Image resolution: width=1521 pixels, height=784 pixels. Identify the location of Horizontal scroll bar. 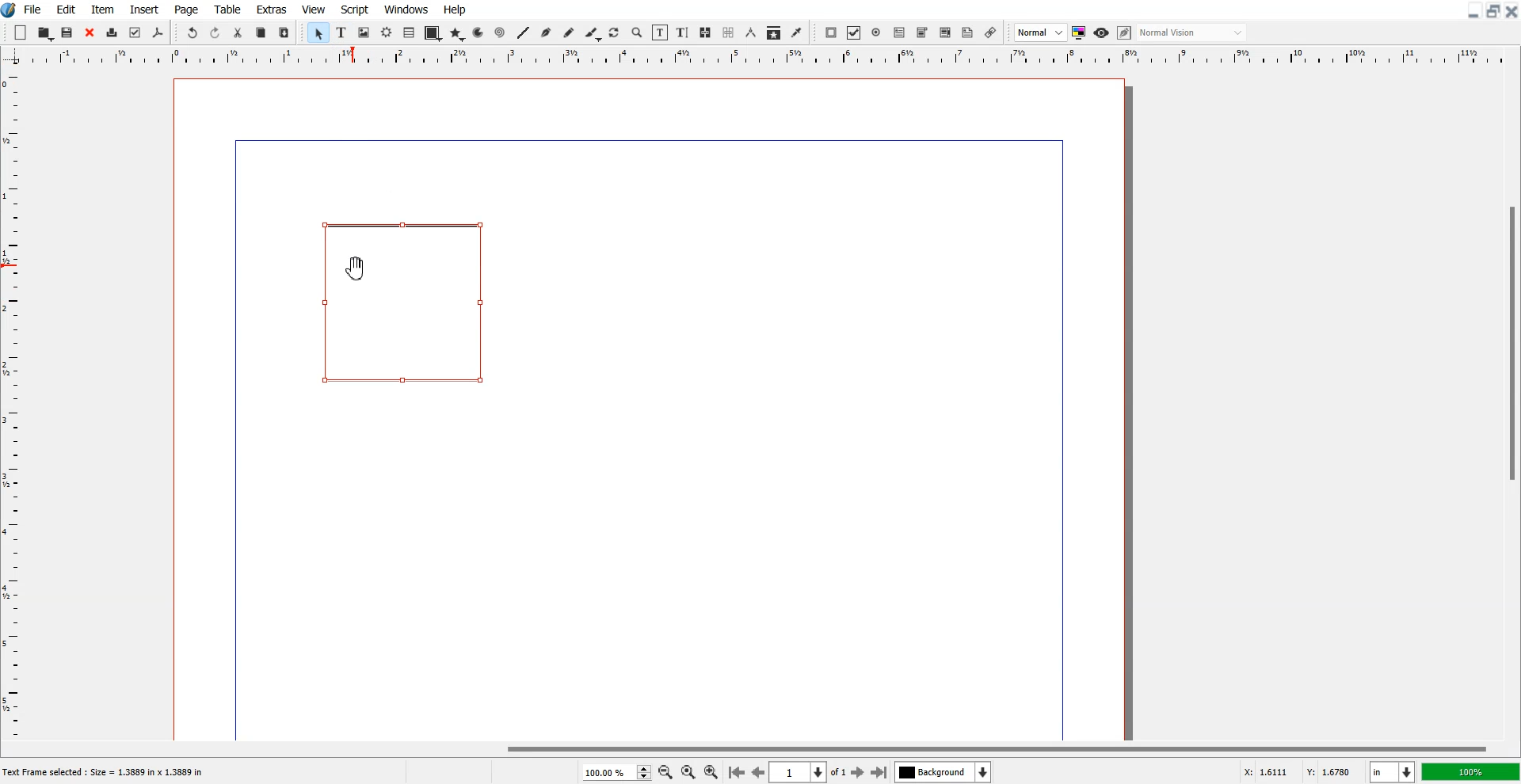
(760, 748).